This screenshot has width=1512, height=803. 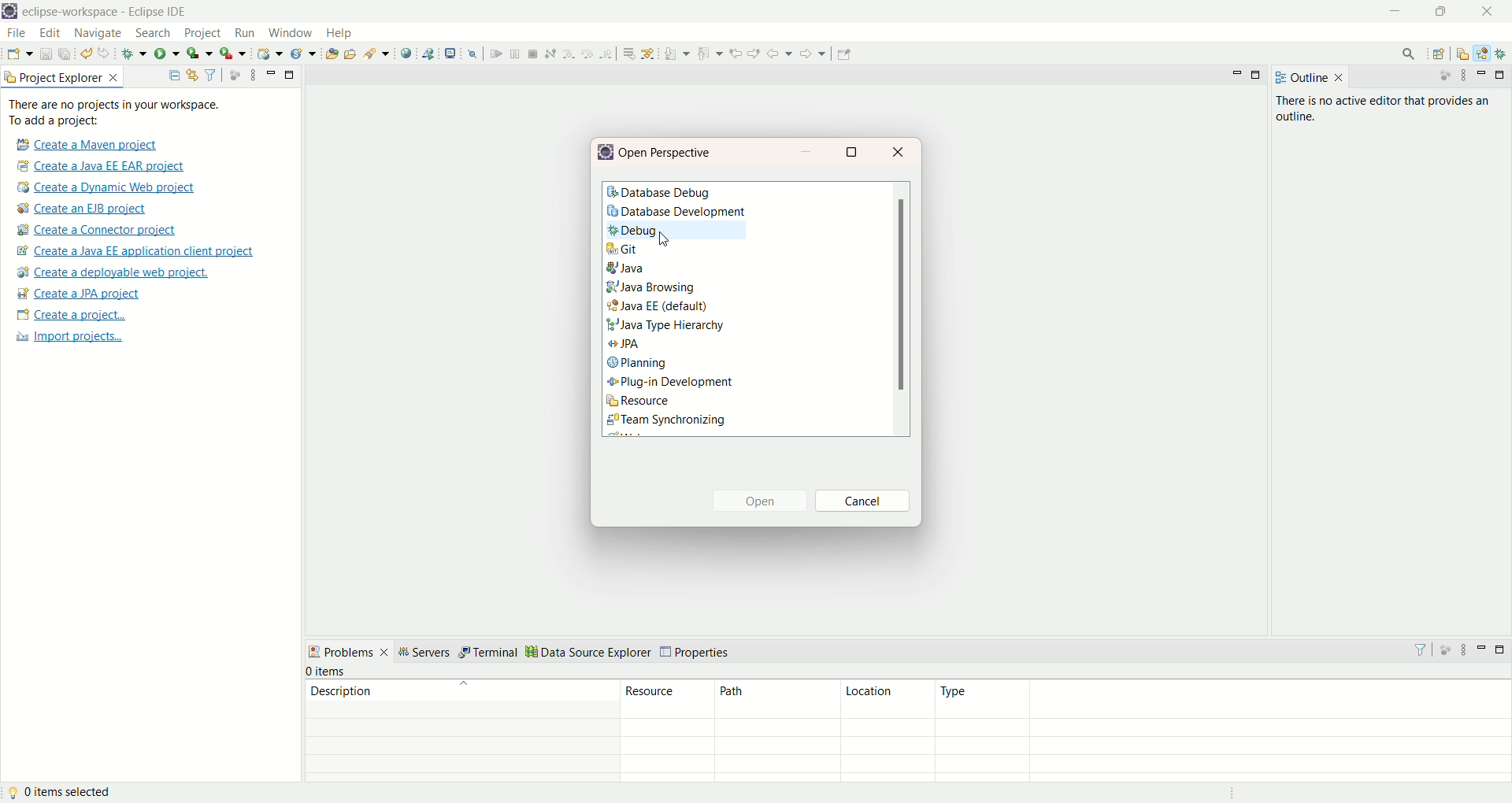 What do you see at coordinates (847, 54) in the screenshot?
I see `pin editor` at bounding box center [847, 54].